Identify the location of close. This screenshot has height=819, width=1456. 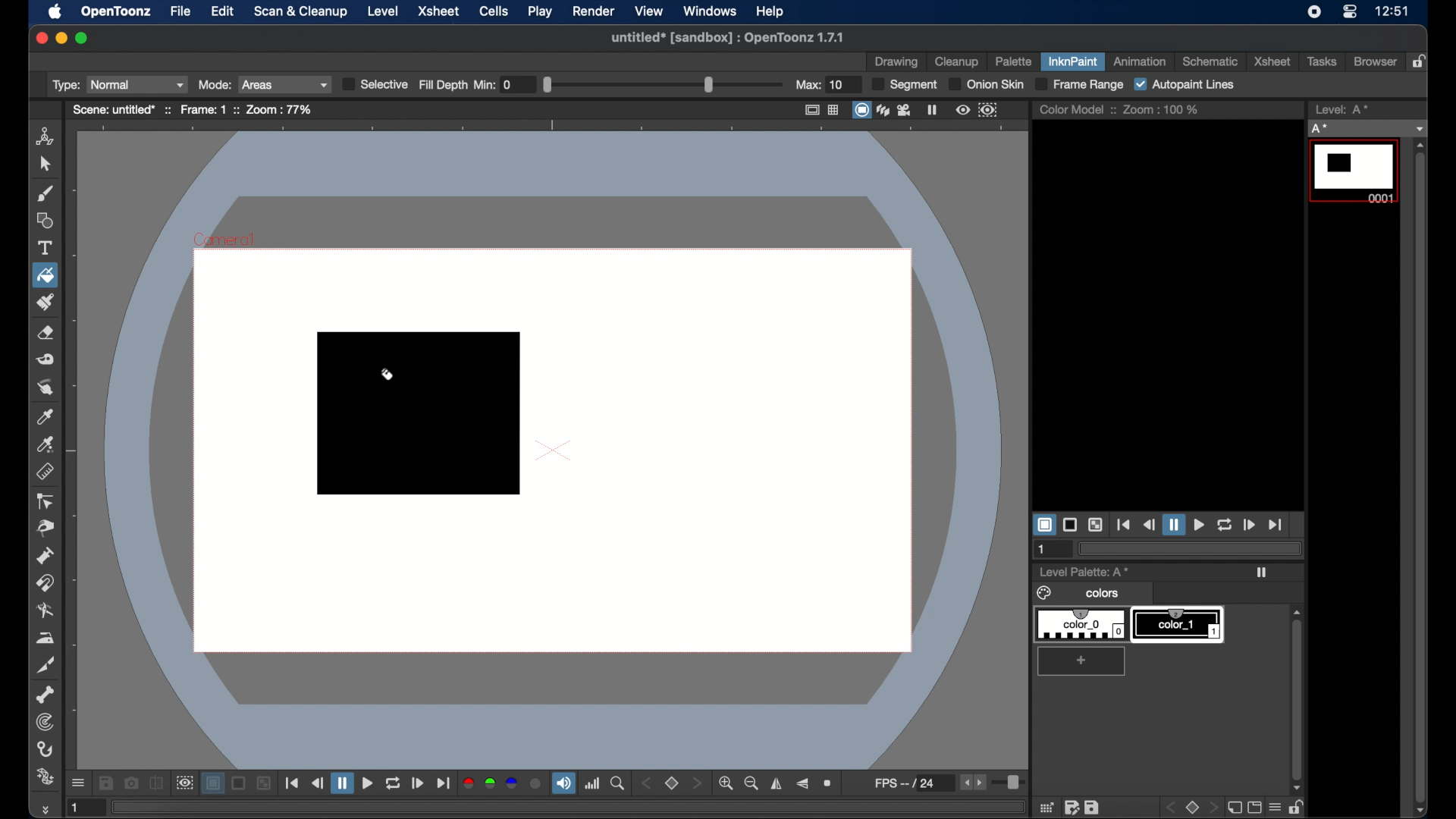
(40, 39).